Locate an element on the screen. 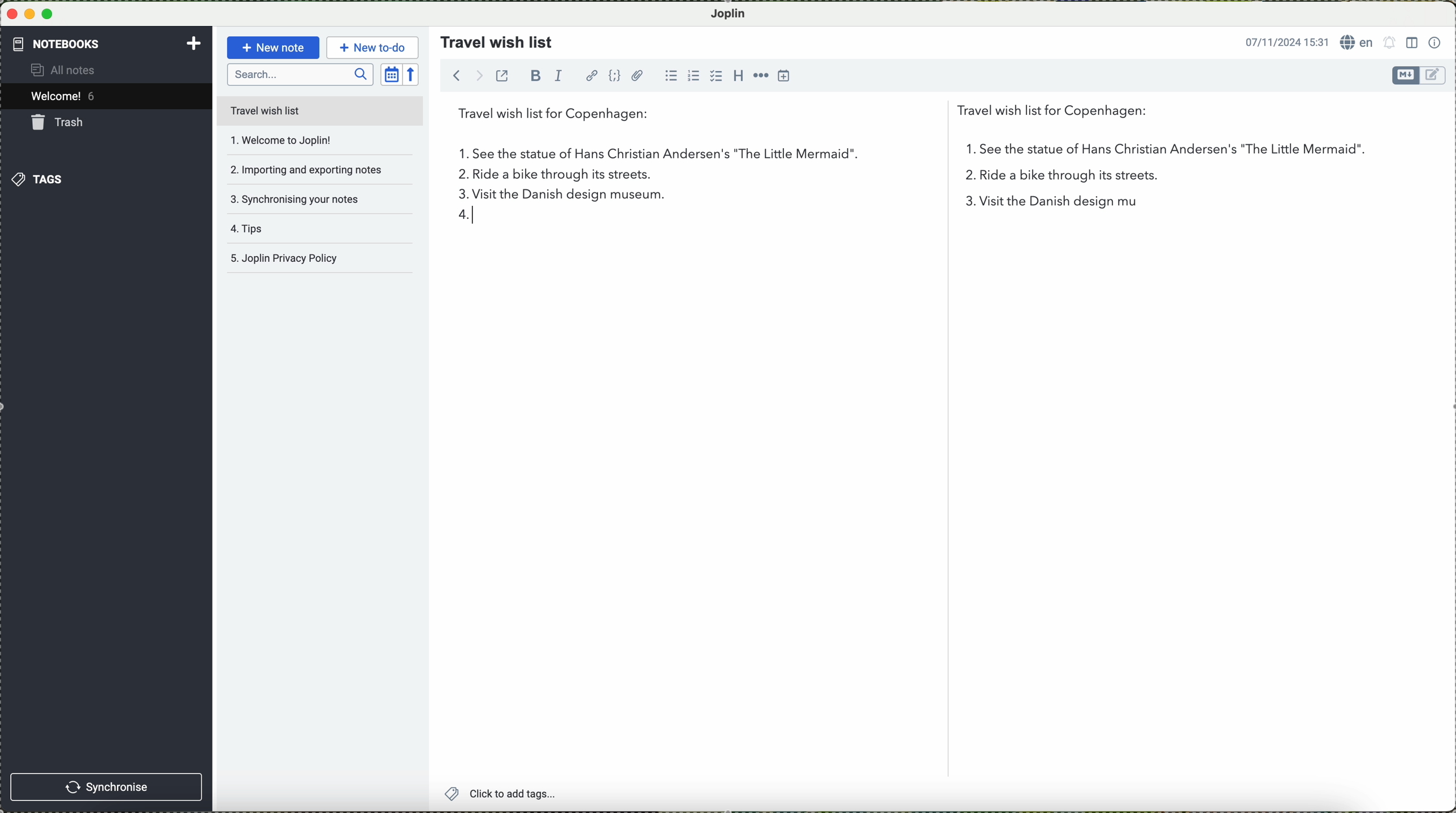 The height and width of the screenshot is (813, 1456). italic is located at coordinates (562, 77).